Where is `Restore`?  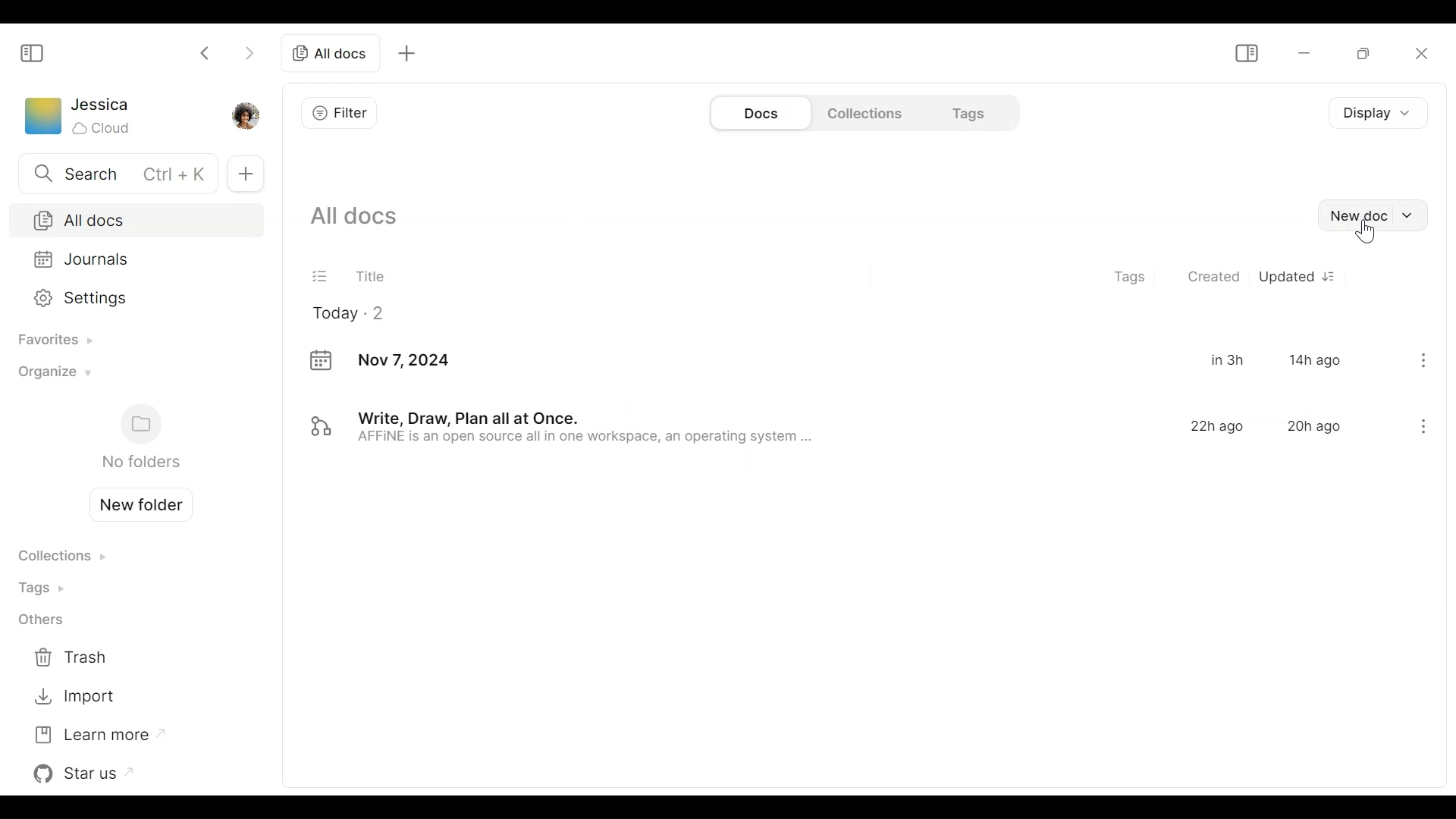 Restore is located at coordinates (1366, 52).